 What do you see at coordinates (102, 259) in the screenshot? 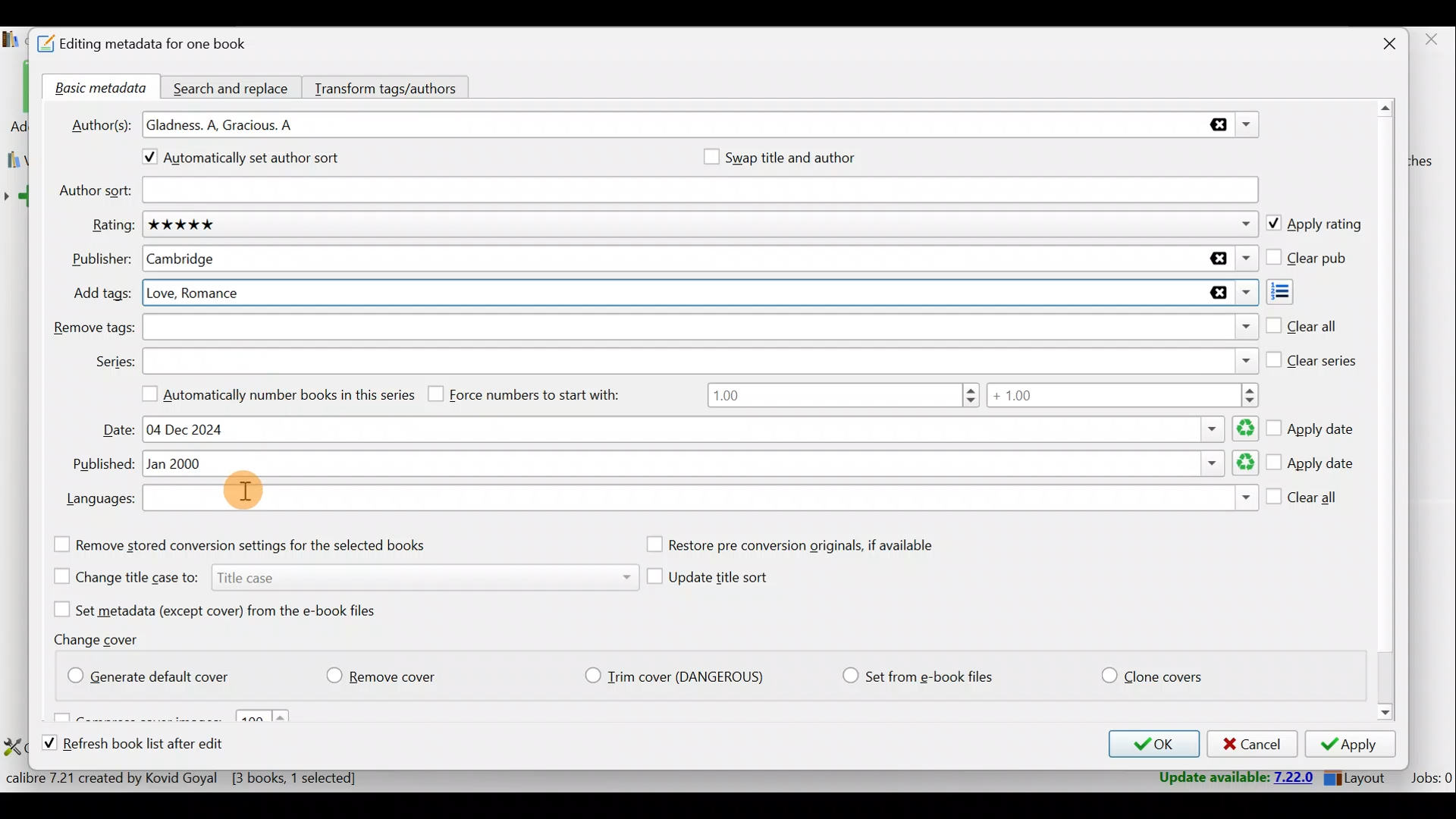
I see `Publisher:` at bounding box center [102, 259].